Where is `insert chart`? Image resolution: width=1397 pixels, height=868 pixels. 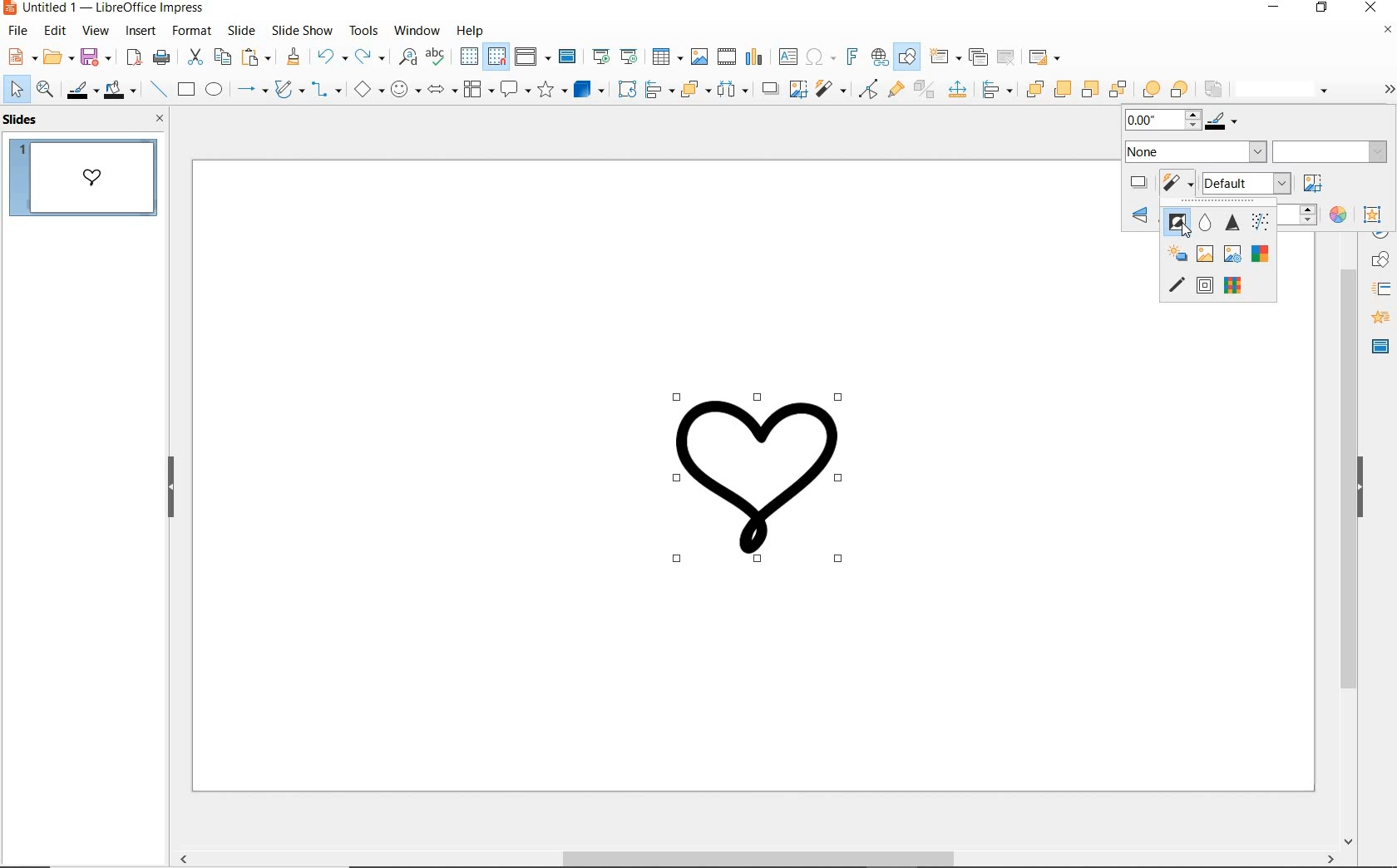
insert chart is located at coordinates (754, 60).